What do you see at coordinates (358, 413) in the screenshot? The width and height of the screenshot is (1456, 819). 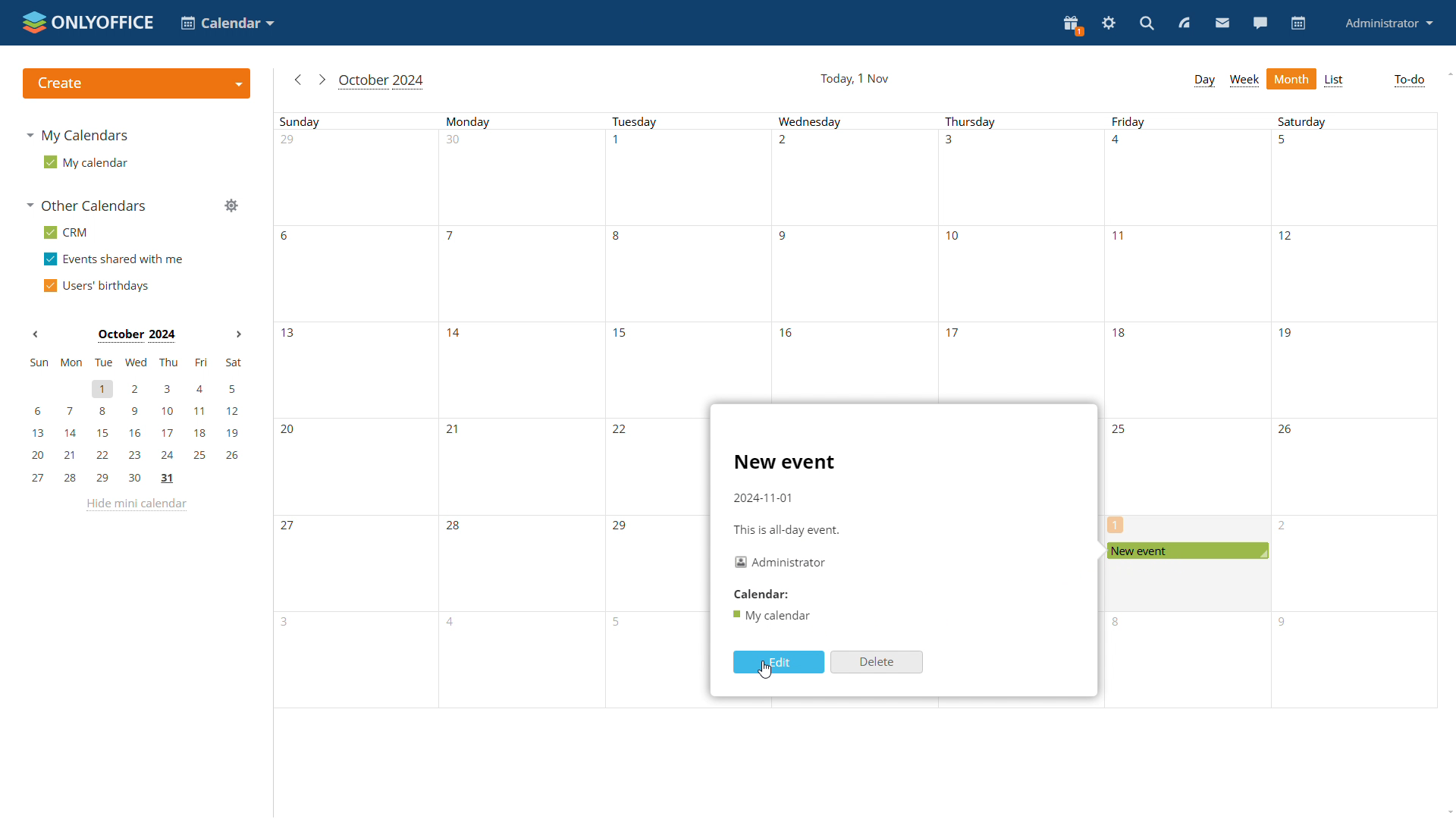 I see `sunday` at bounding box center [358, 413].